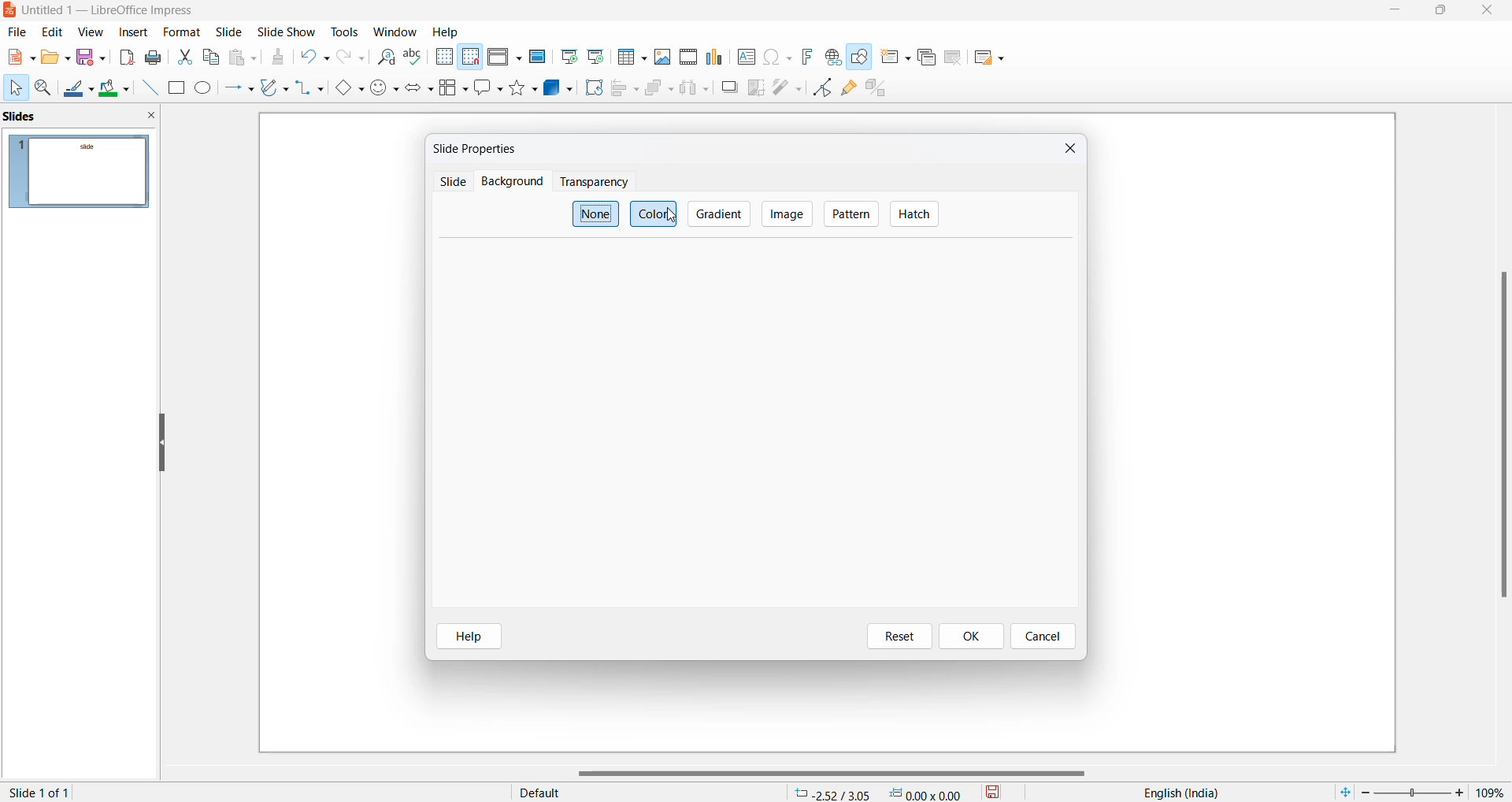  What do you see at coordinates (658, 91) in the screenshot?
I see `arrange` at bounding box center [658, 91].